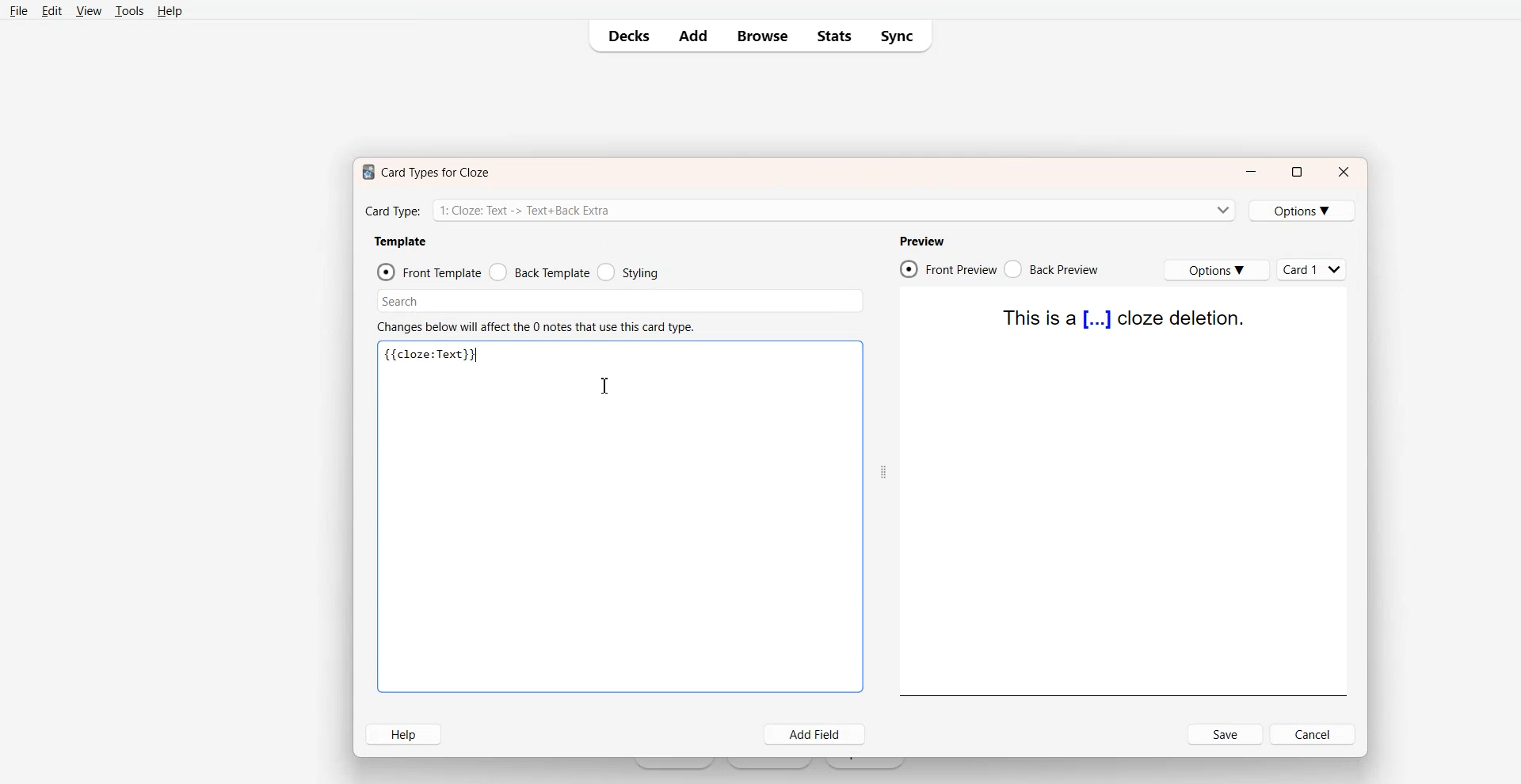  What do you see at coordinates (1125, 318) in the screenshot?
I see `Text 4` at bounding box center [1125, 318].